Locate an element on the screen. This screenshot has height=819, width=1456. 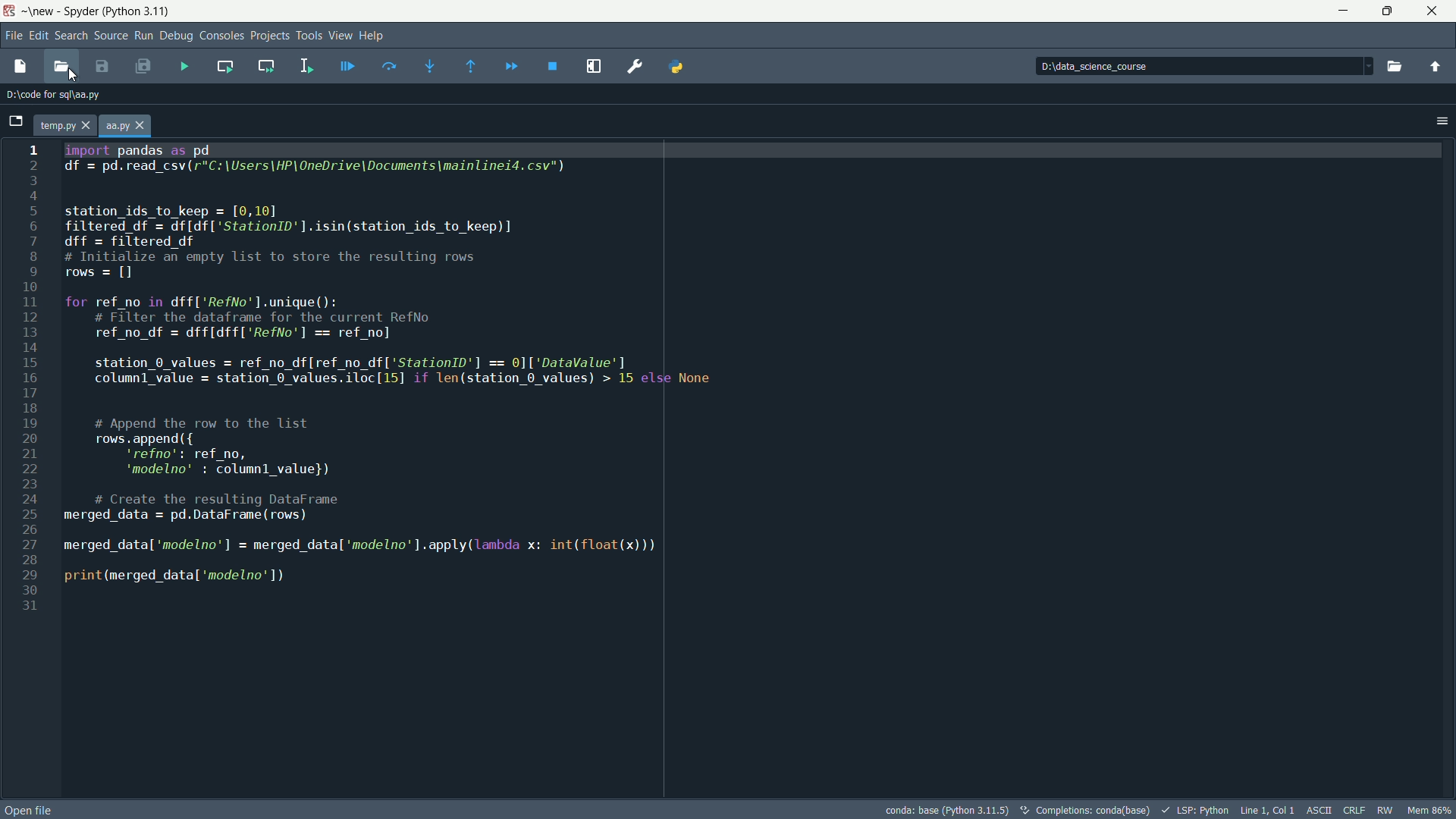
change to parent directory is located at coordinates (1436, 66).